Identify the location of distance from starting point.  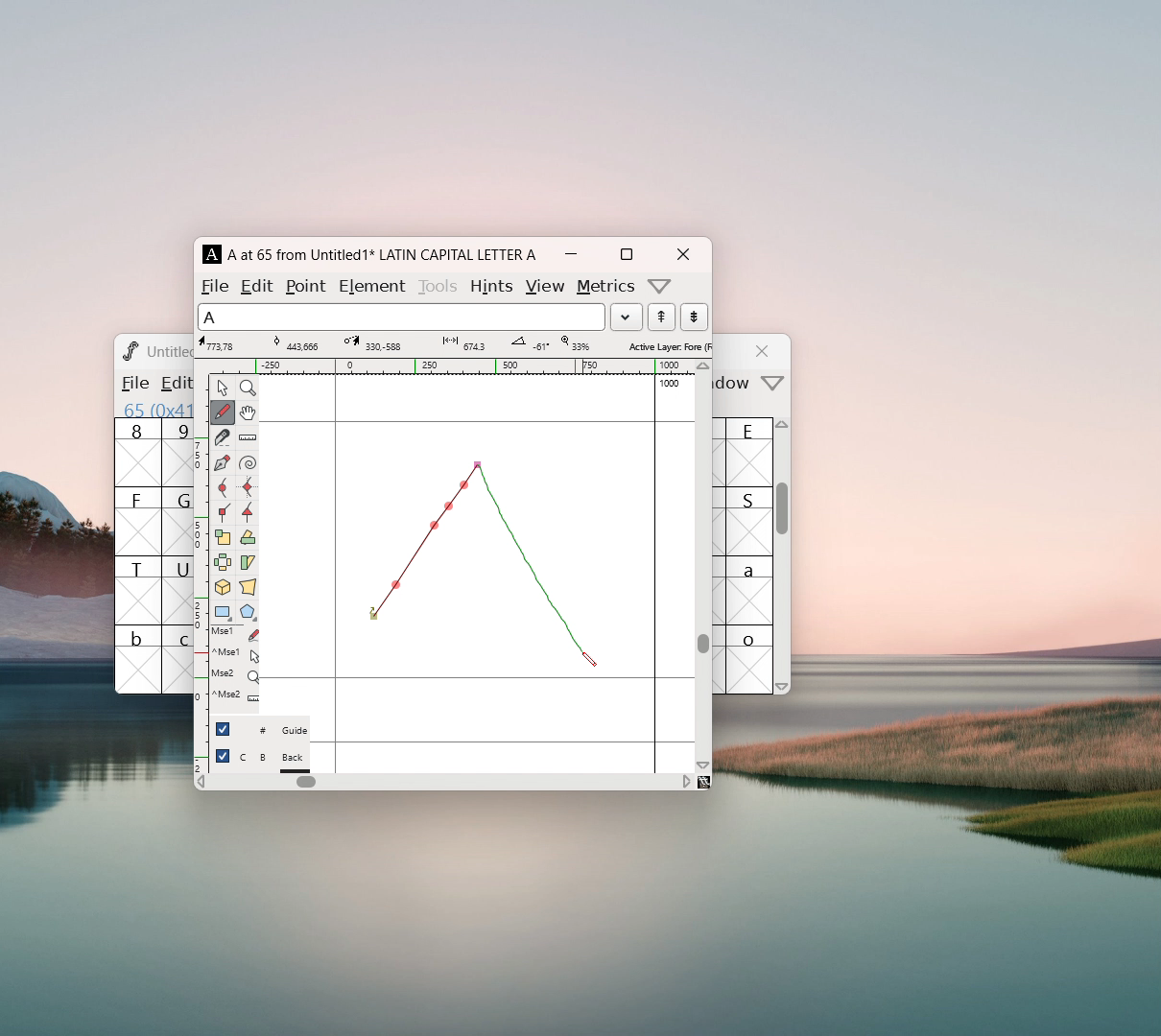
(466, 345).